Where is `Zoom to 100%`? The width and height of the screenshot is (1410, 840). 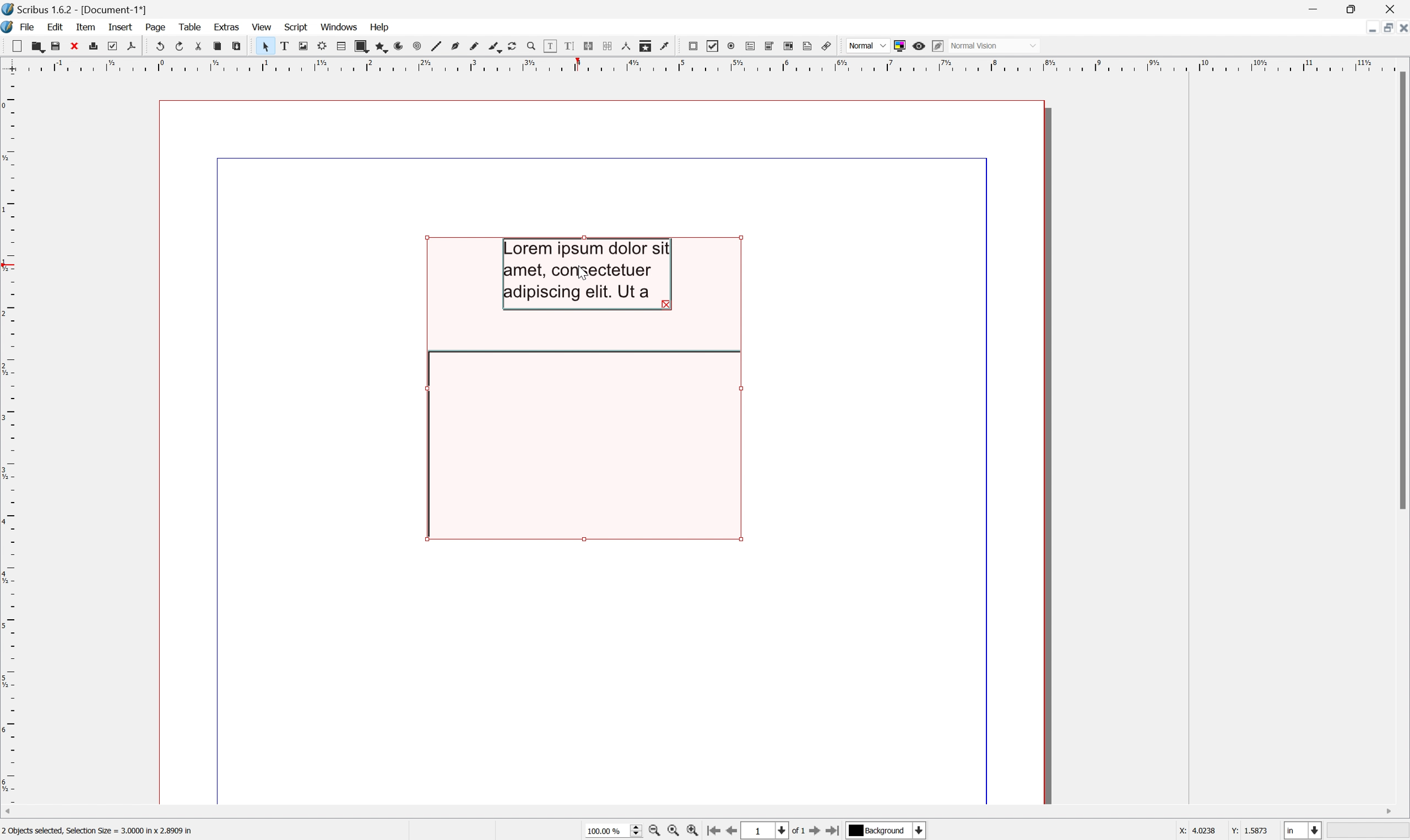 Zoom to 100% is located at coordinates (676, 832).